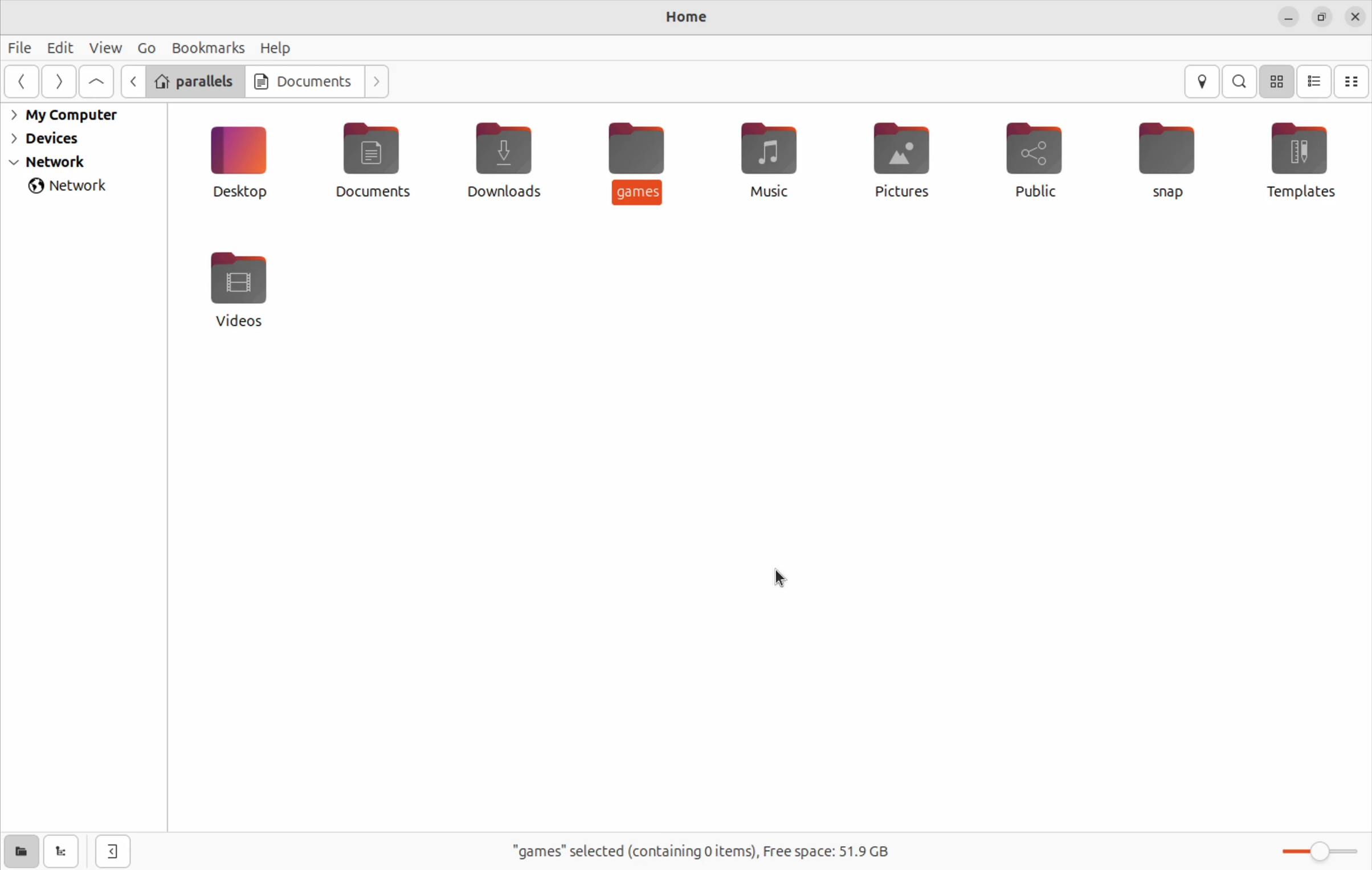 The image size is (1372, 870). Describe the element at coordinates (59, 48) in the screenshot. I see `Edit` at that location.